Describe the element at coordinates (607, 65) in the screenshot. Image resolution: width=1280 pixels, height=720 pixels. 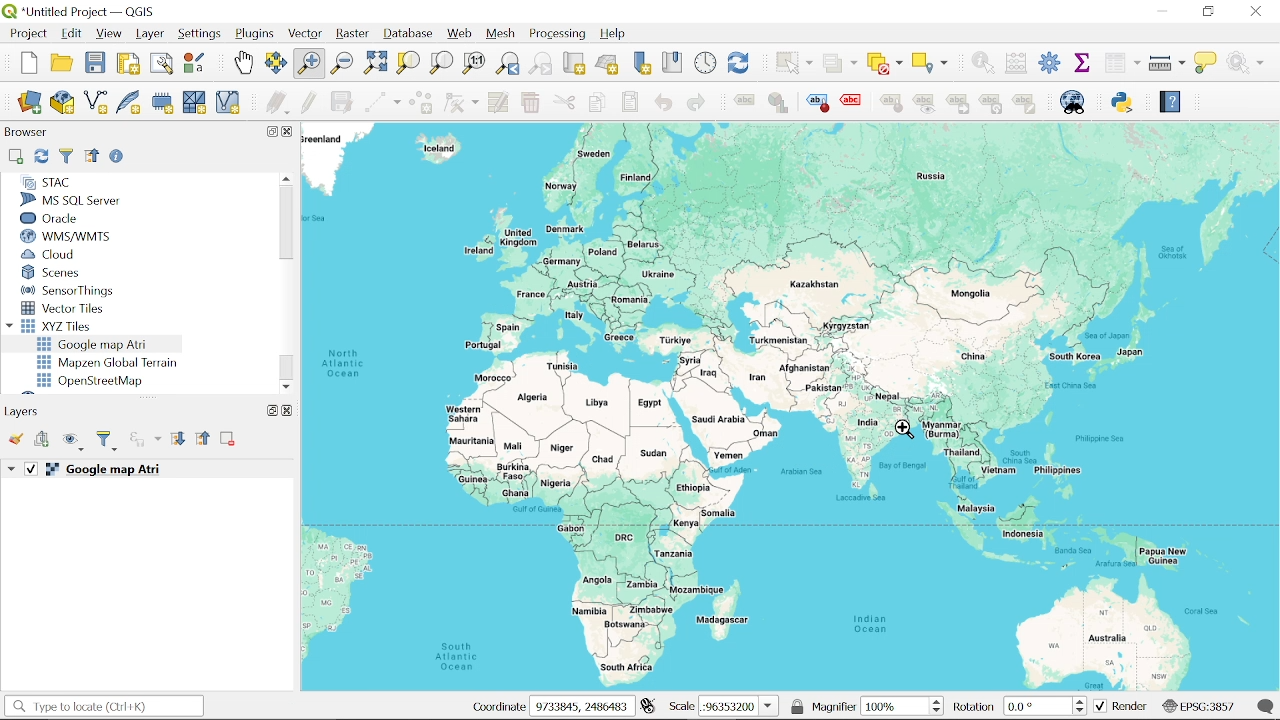
I see `New 3d map view` at that location.